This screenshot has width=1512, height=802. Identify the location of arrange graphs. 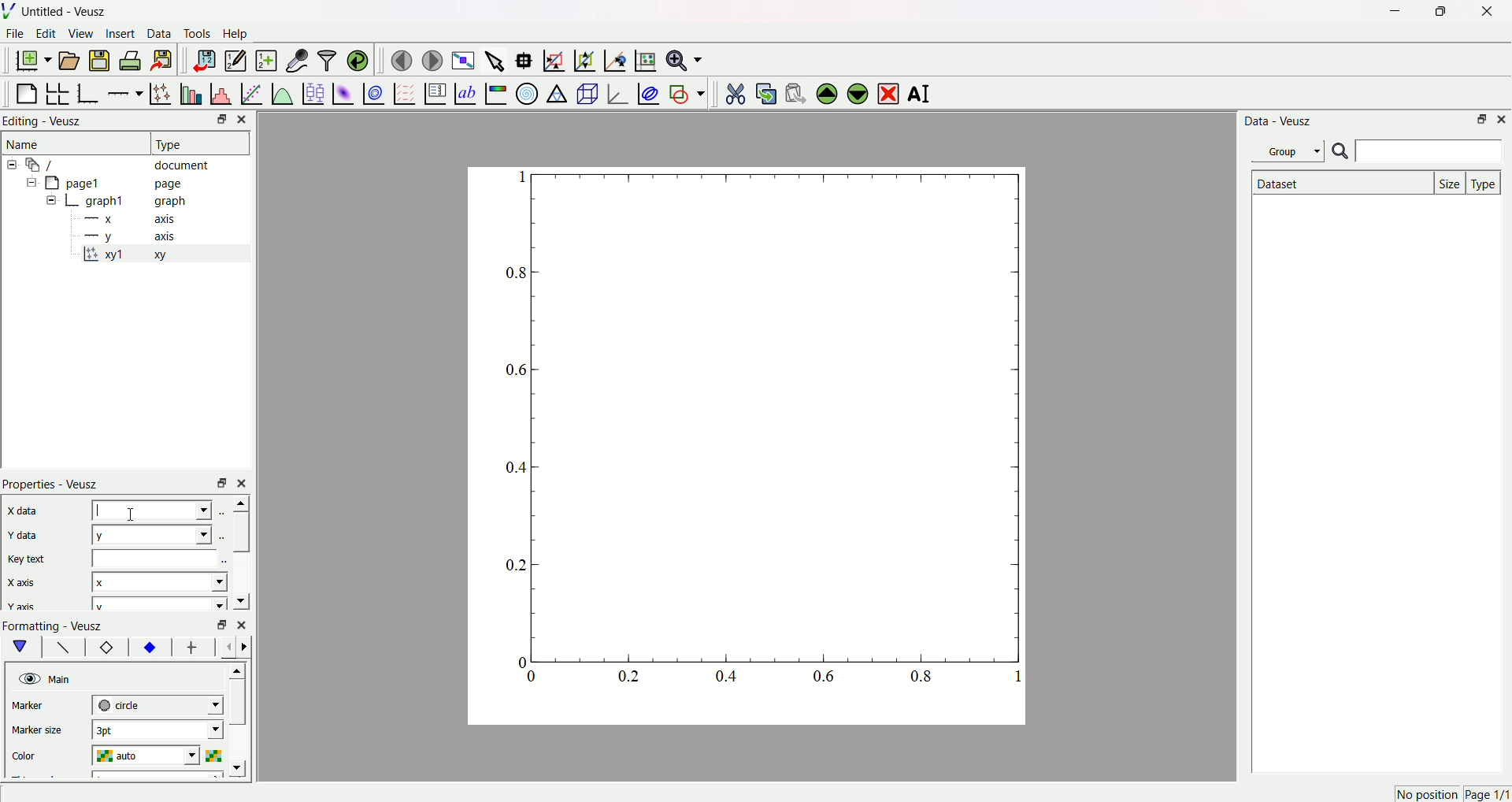
(60, 91).